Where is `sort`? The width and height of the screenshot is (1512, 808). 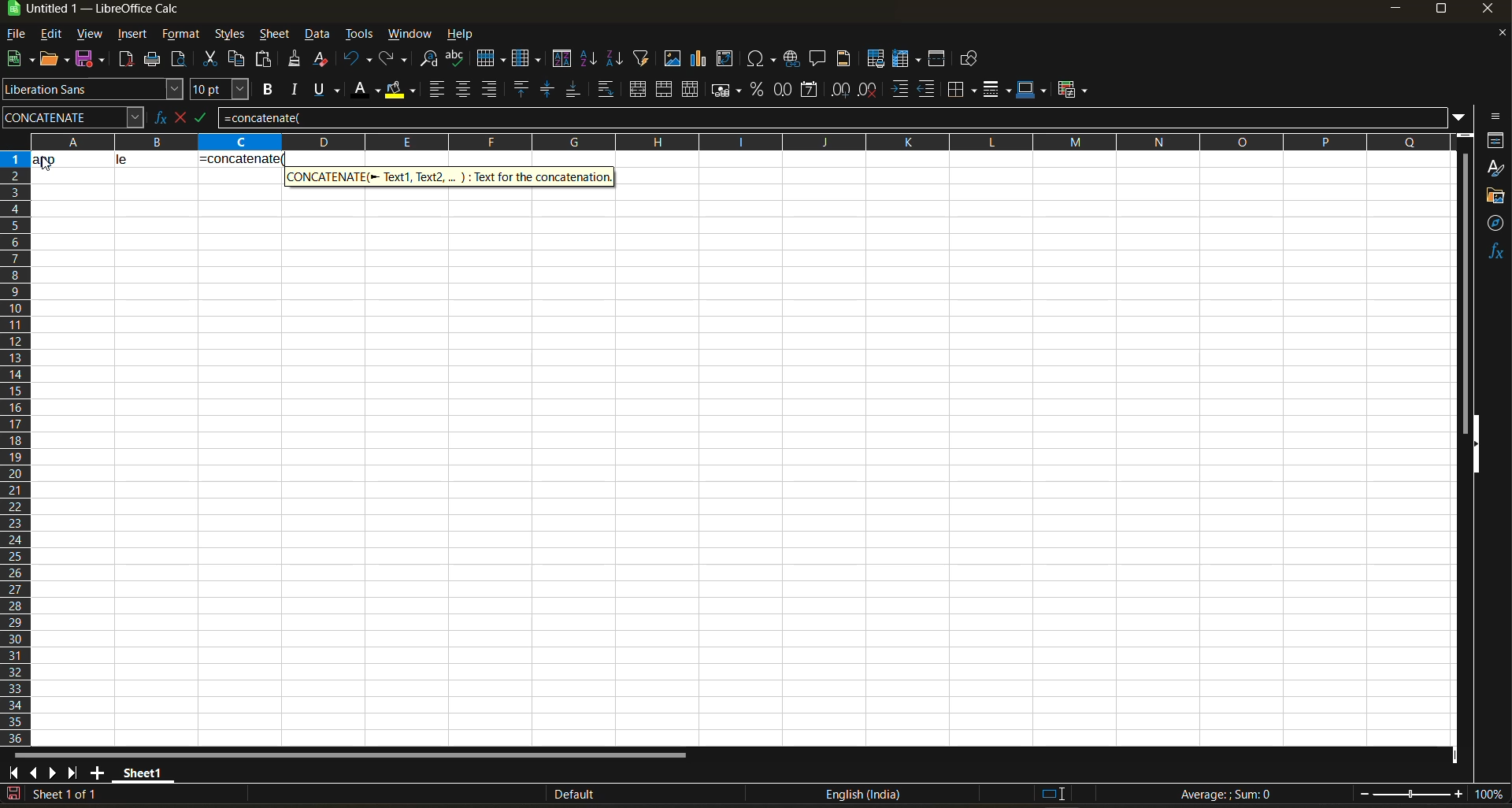
sort is located at coordinates (565, 59).